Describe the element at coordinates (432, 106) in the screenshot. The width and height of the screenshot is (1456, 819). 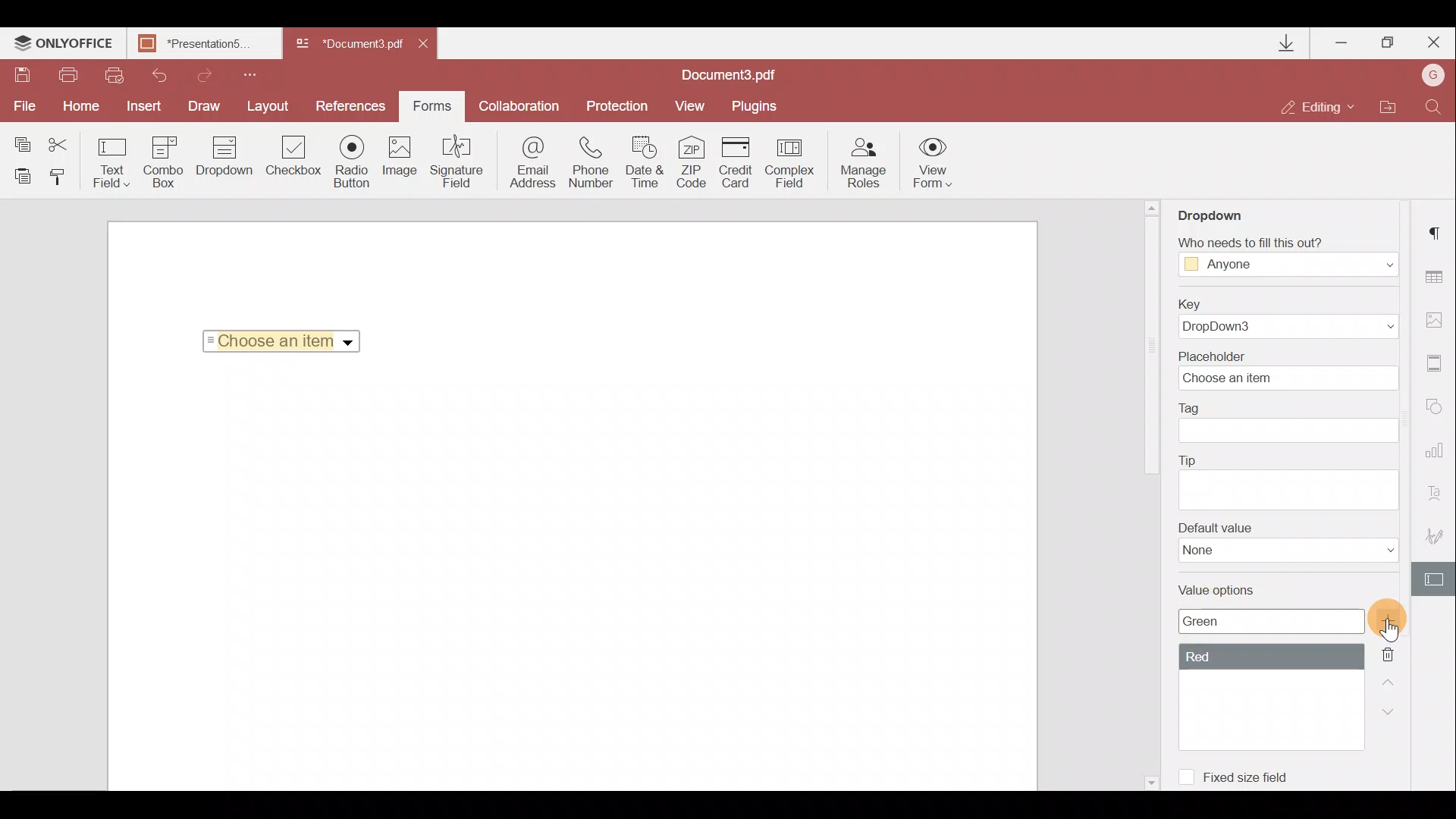
I see `Forms` at that location.